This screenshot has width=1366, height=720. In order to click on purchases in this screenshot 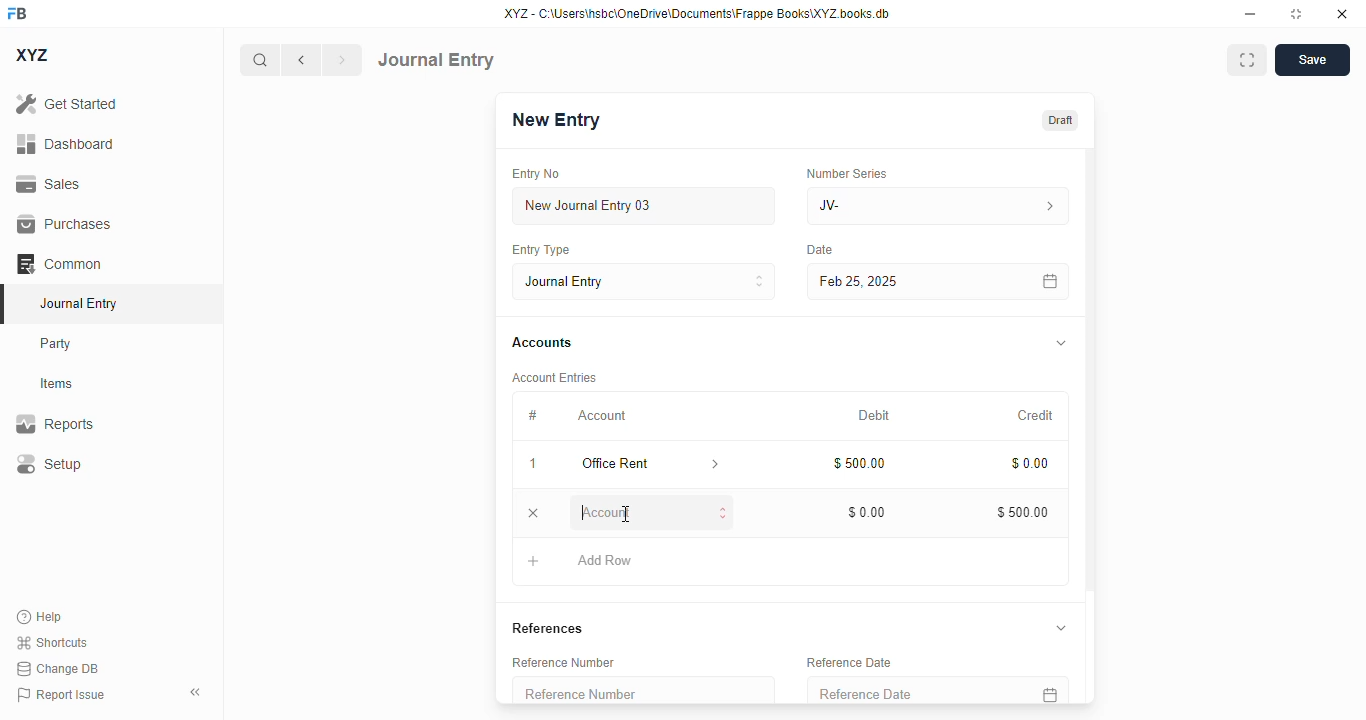, I will do `click(65, 224)`.